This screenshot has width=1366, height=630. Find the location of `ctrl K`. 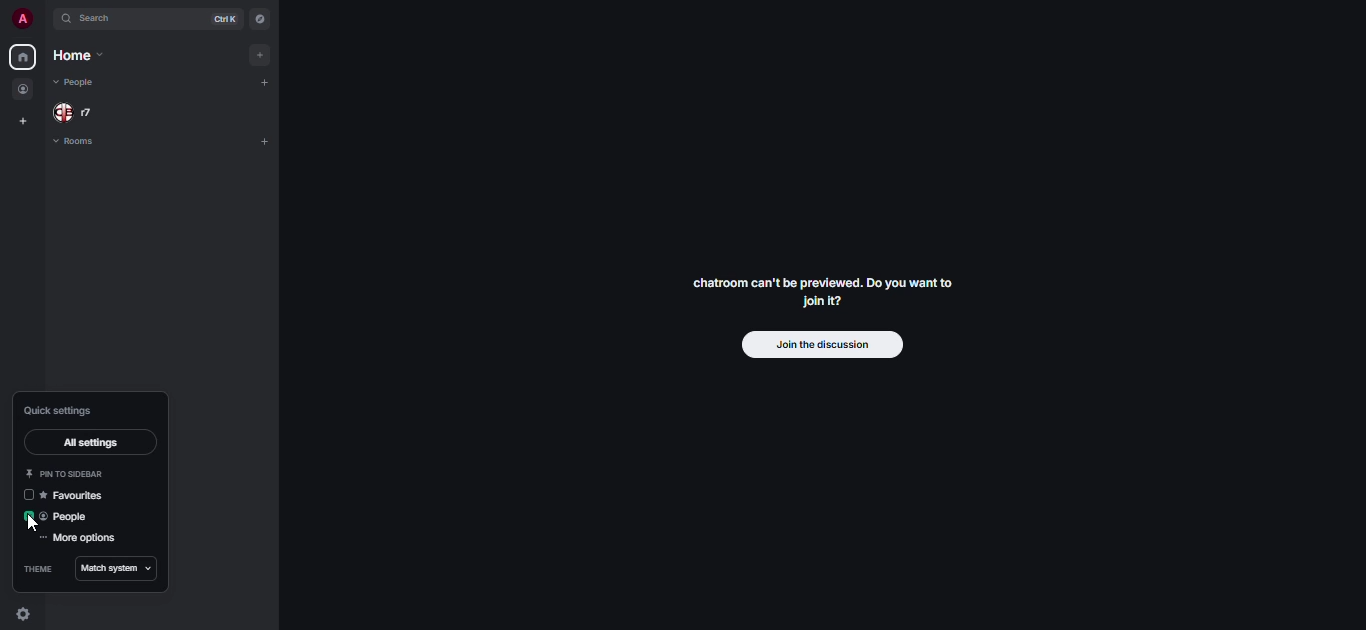

ctrl K is located at coordinates (220, 19).